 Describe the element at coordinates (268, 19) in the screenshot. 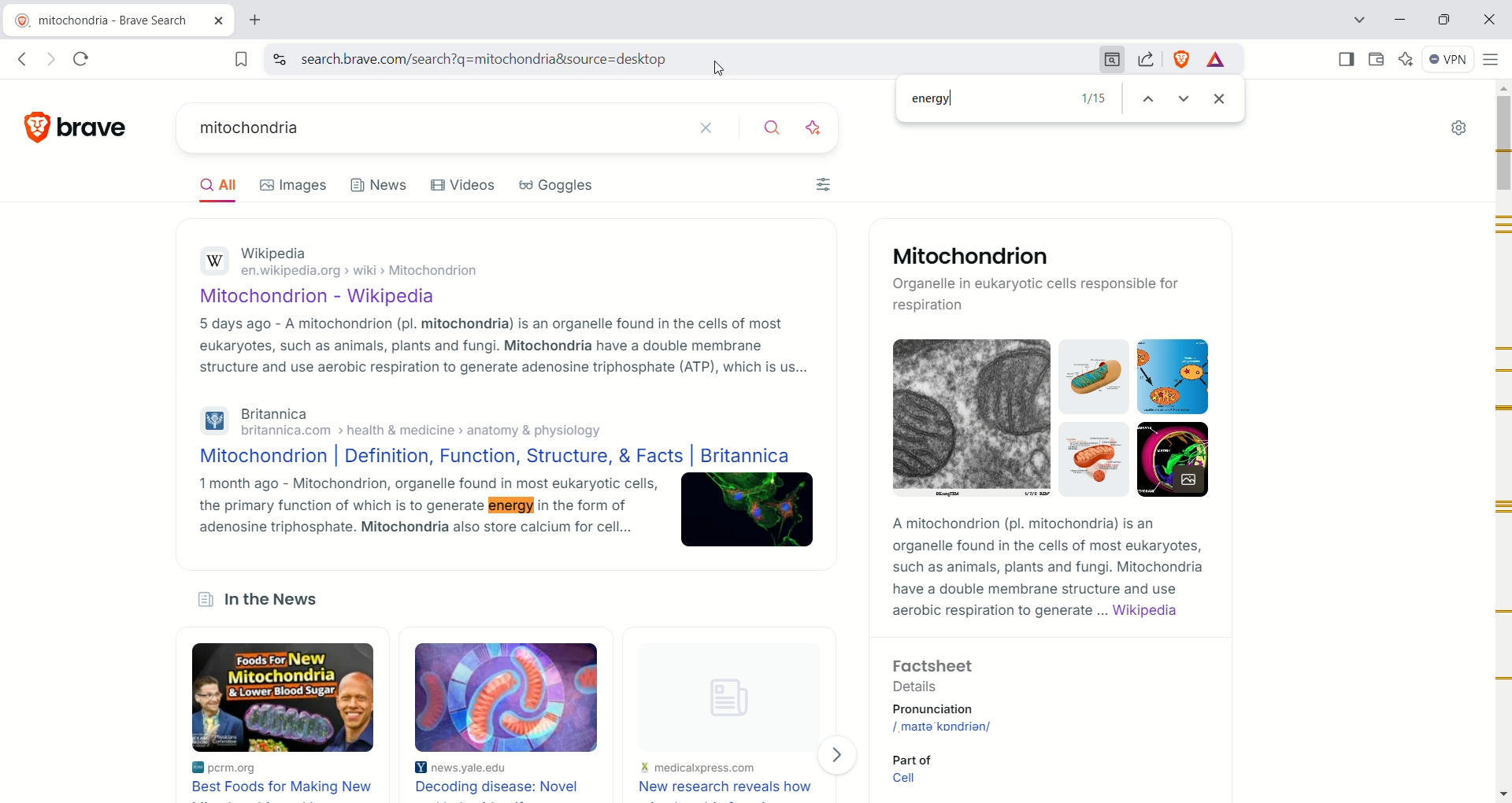

I see `new tab` at that location.